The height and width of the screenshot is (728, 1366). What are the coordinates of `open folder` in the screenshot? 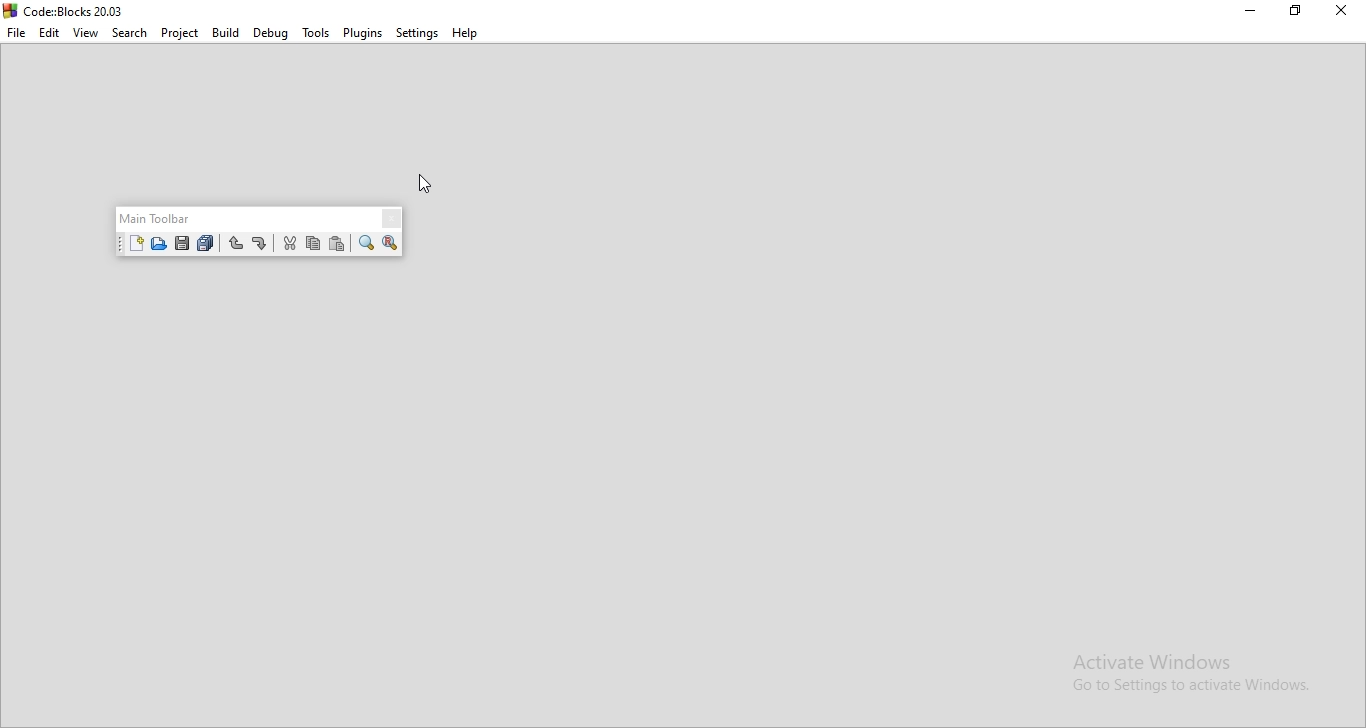 It's located at (160, 245).